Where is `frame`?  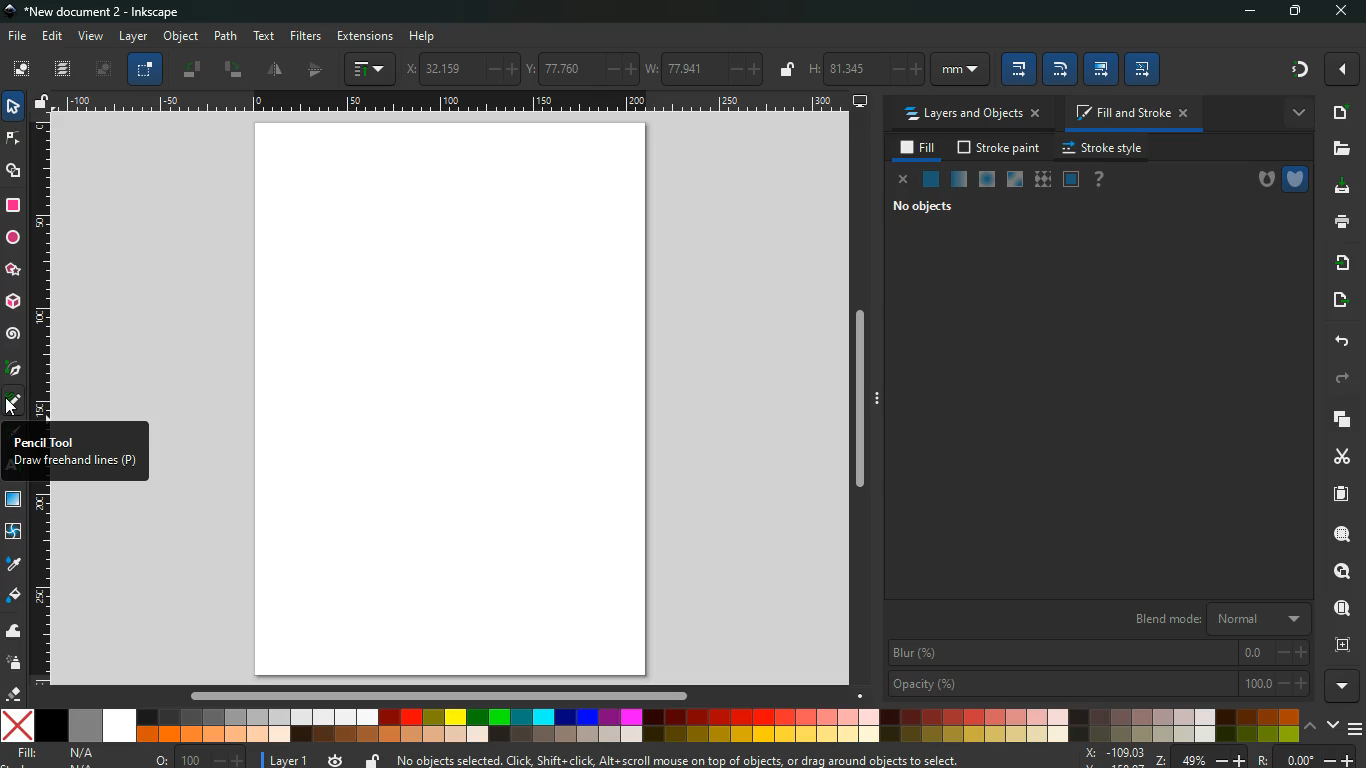
frame is located at coordinates (1071, 179).